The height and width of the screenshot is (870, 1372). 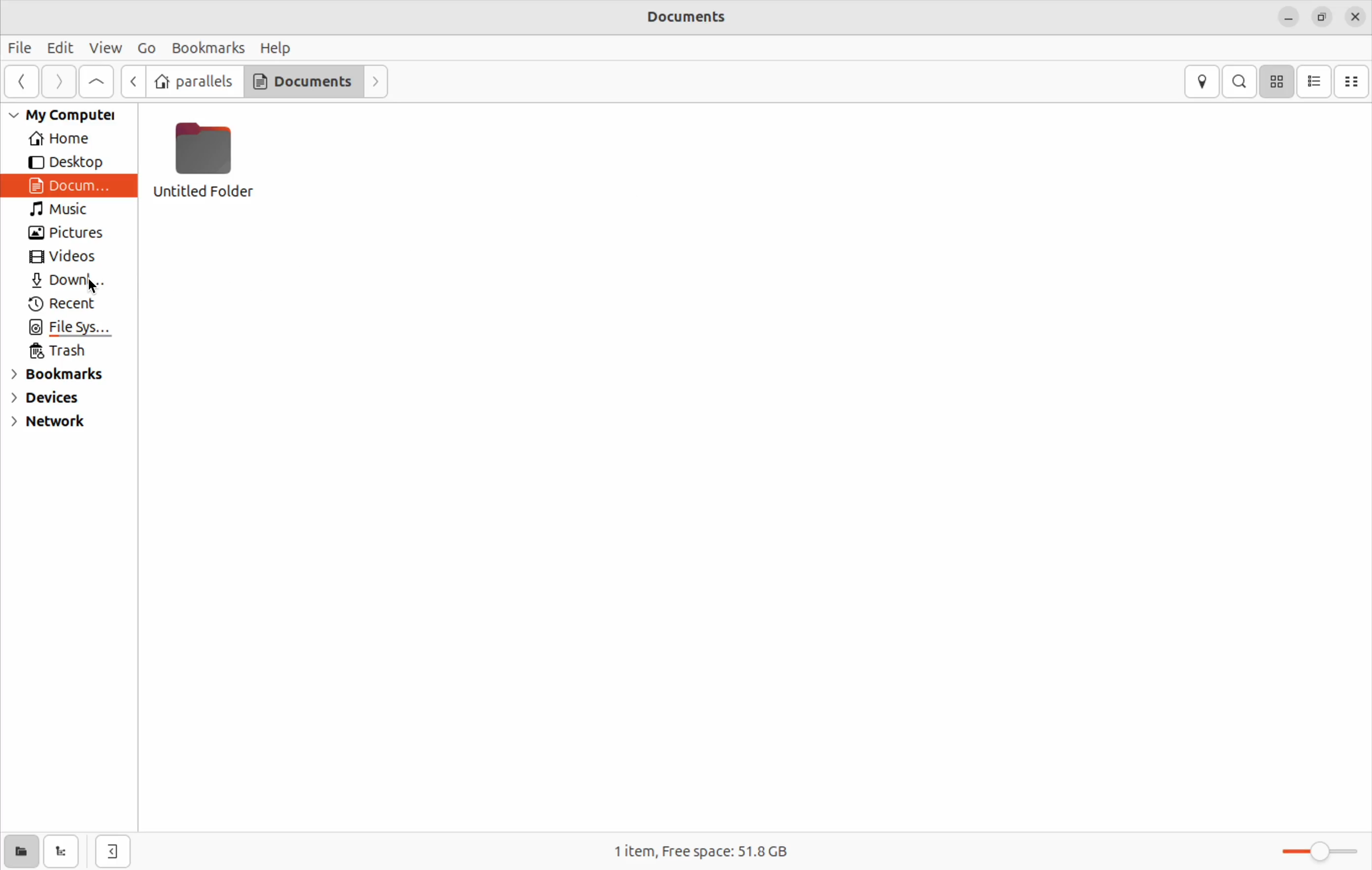 What do you see at coordinates (274, 47) in the screenshot?
I see `help` at bounding box center [274, 47].